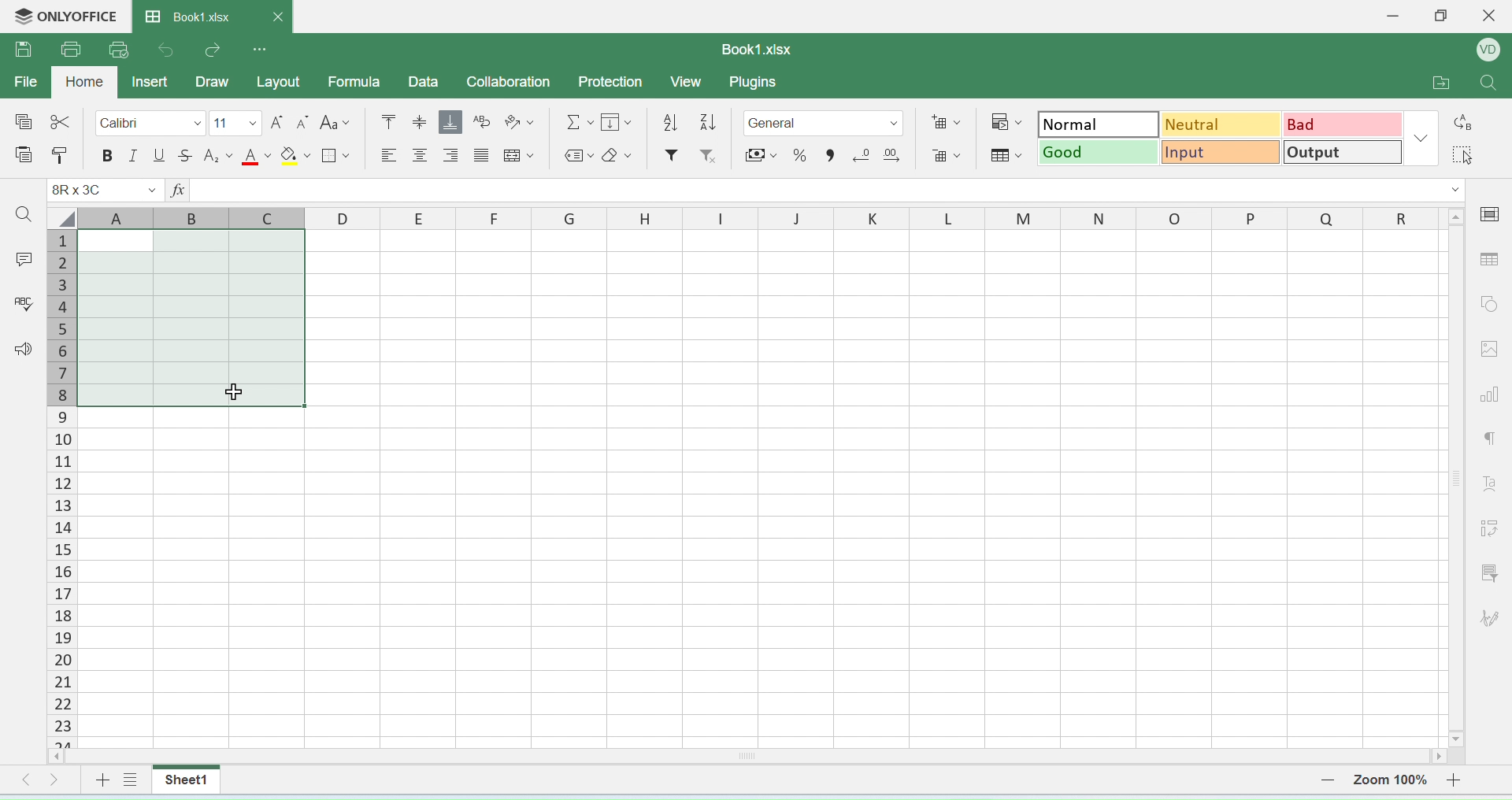  Describe the element at coordinates (1388, 779) in the screenshot. I see `zoom number` at that location.